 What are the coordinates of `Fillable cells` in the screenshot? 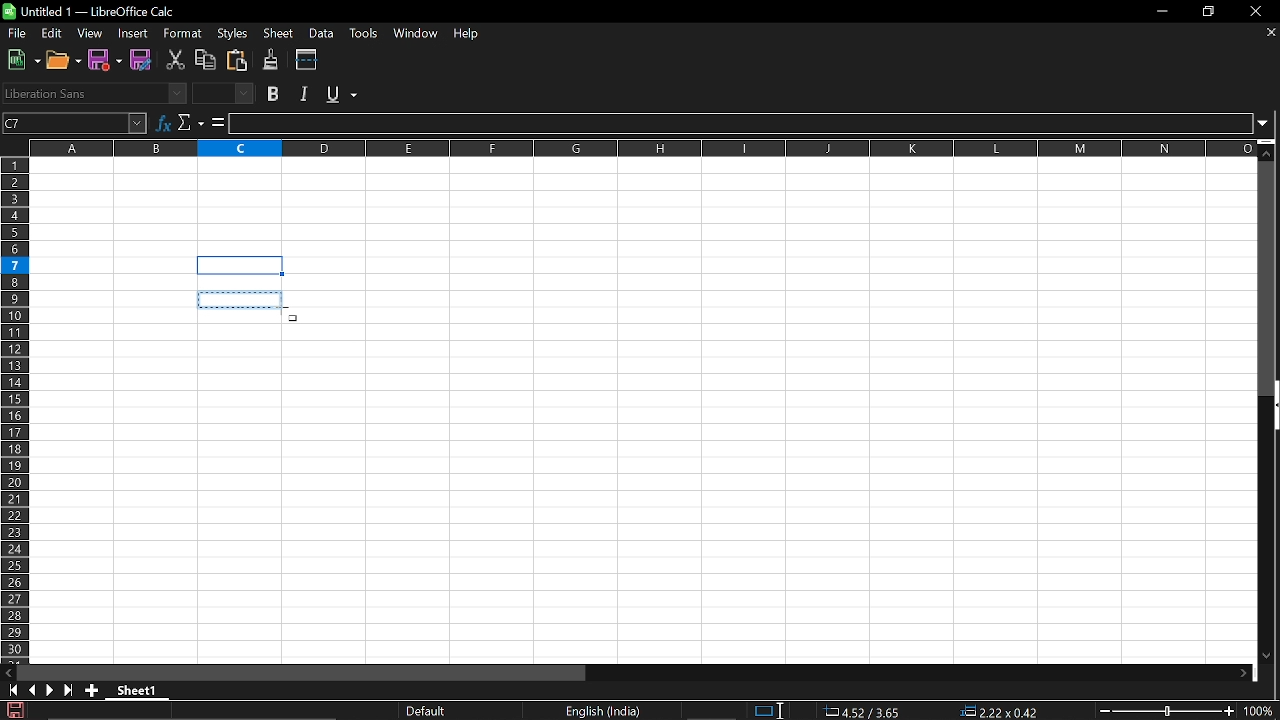 It's located at (114, 281).